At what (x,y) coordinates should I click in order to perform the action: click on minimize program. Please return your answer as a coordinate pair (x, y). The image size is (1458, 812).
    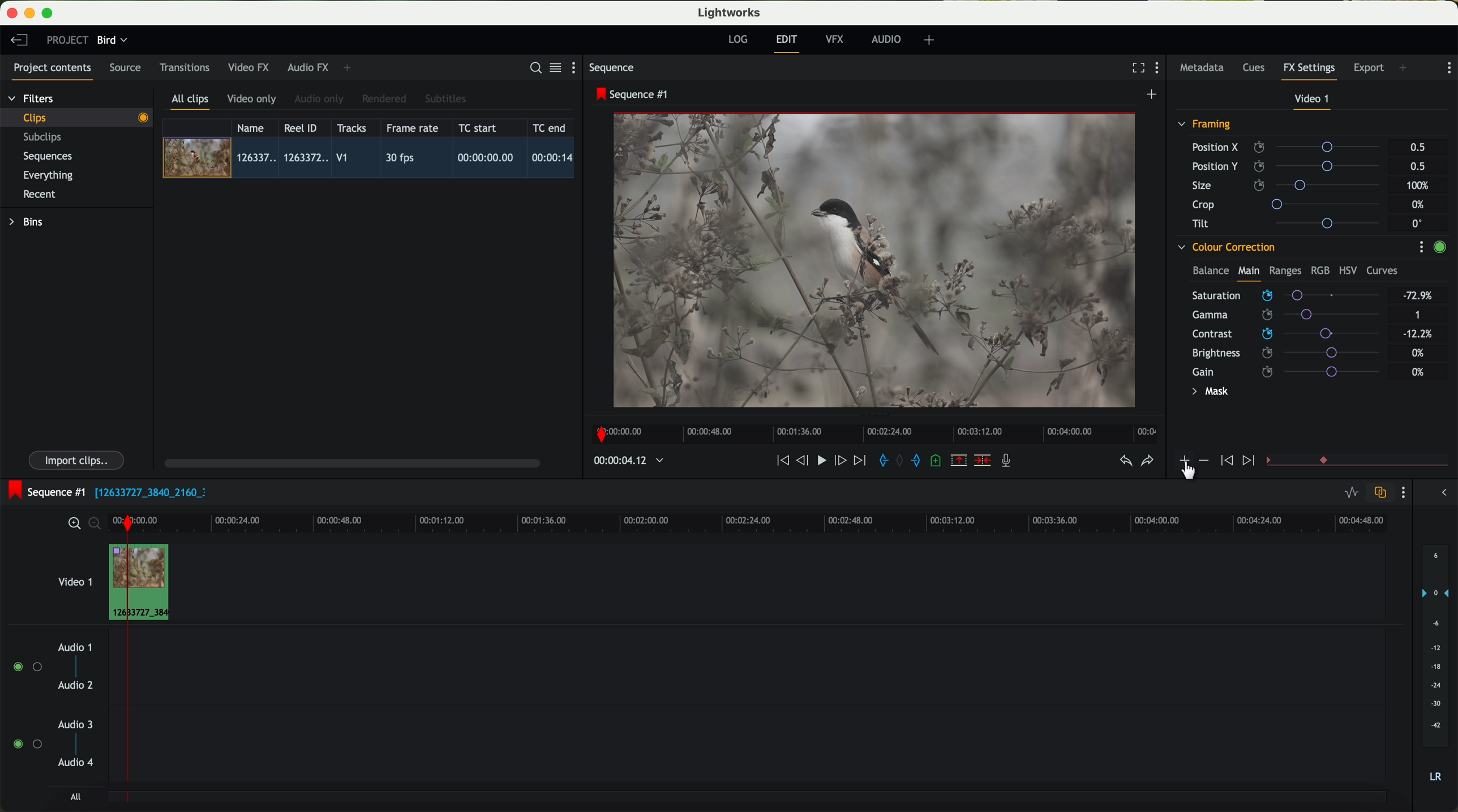
    Looking at the image, I should click on (32, 14).